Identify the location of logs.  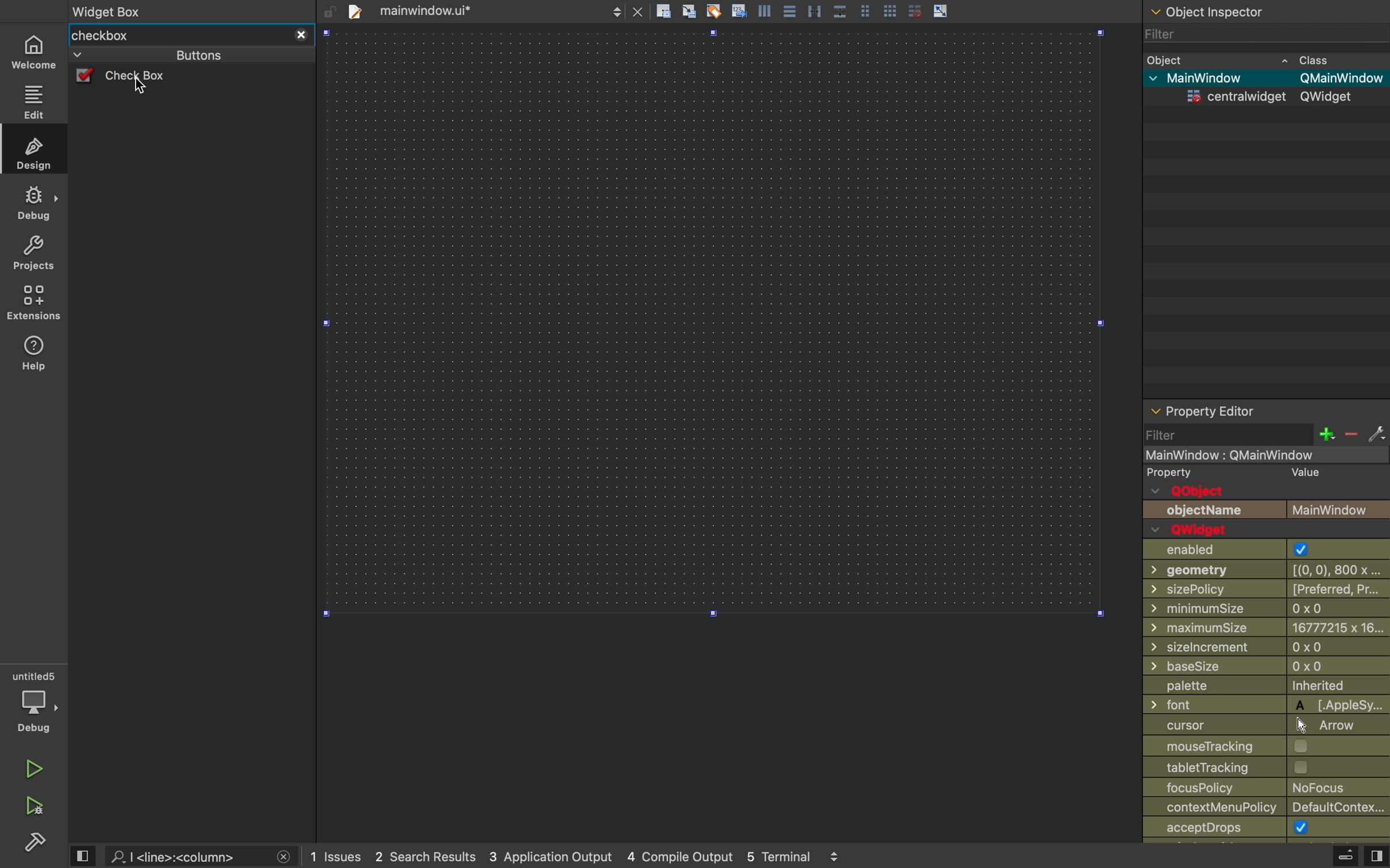
(577, 857).